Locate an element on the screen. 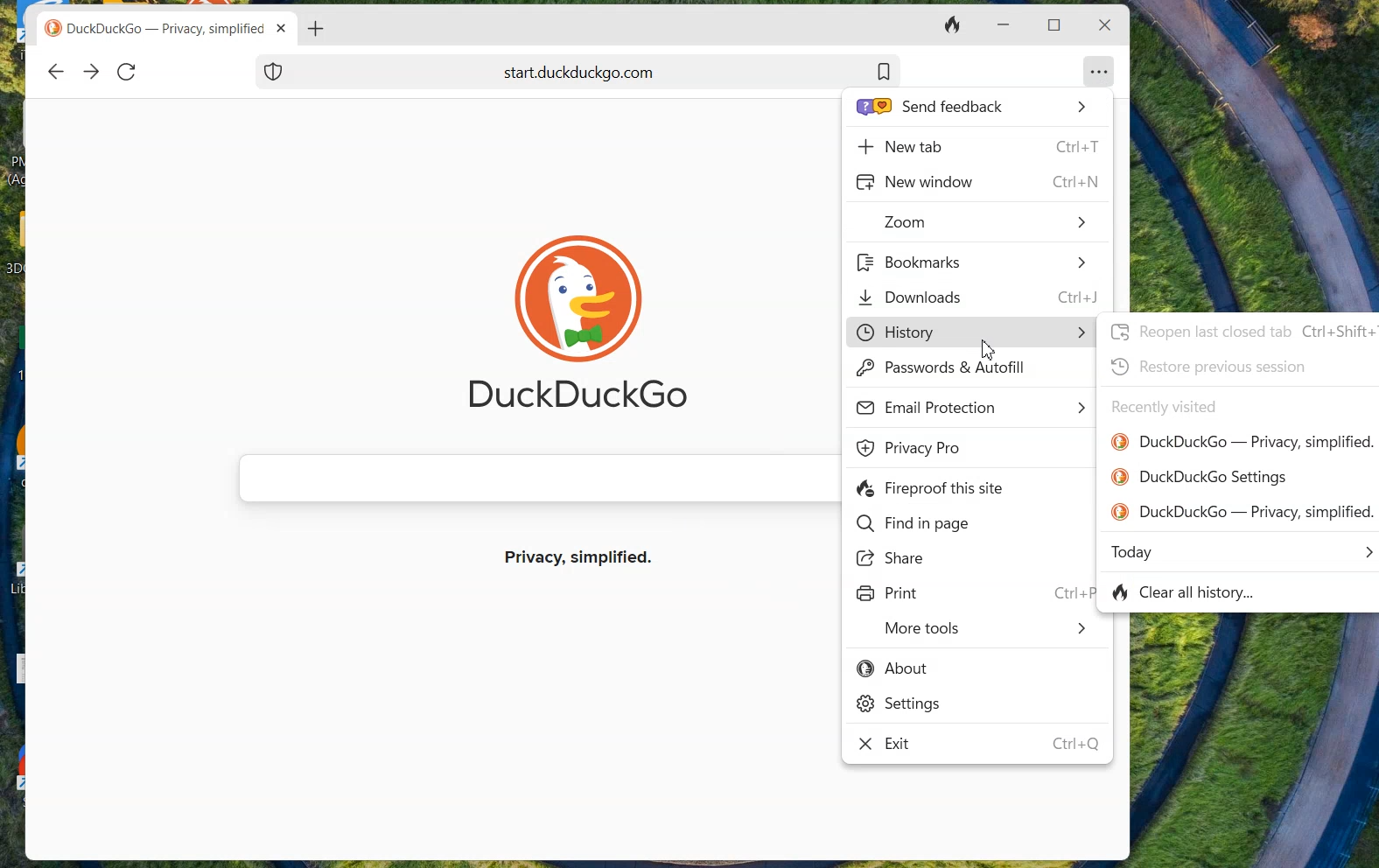 The image size is (1379, 868). Restore previous session is located at coordinates (1207, 367).